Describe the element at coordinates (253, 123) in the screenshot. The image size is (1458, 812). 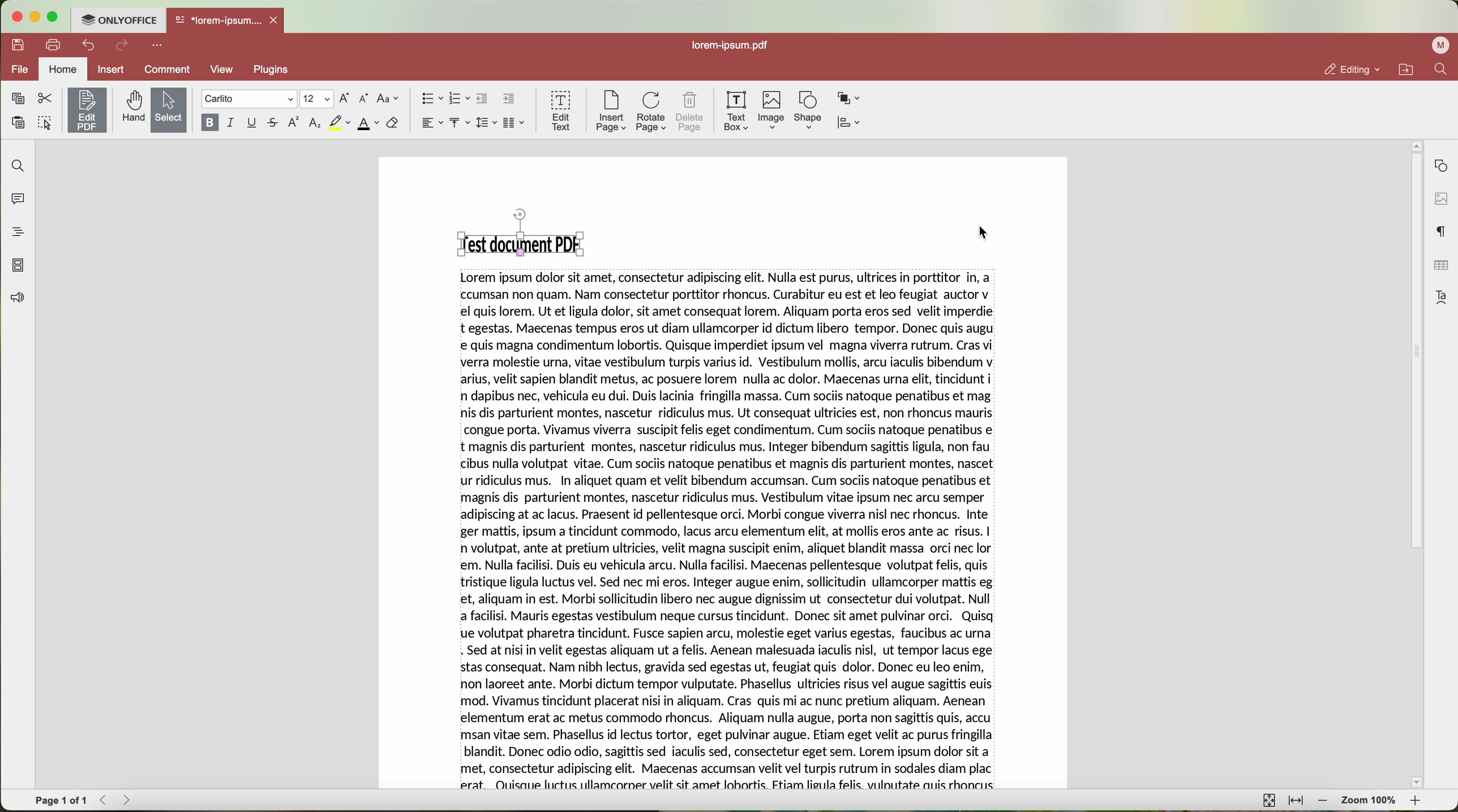
I see `underline` at that location.